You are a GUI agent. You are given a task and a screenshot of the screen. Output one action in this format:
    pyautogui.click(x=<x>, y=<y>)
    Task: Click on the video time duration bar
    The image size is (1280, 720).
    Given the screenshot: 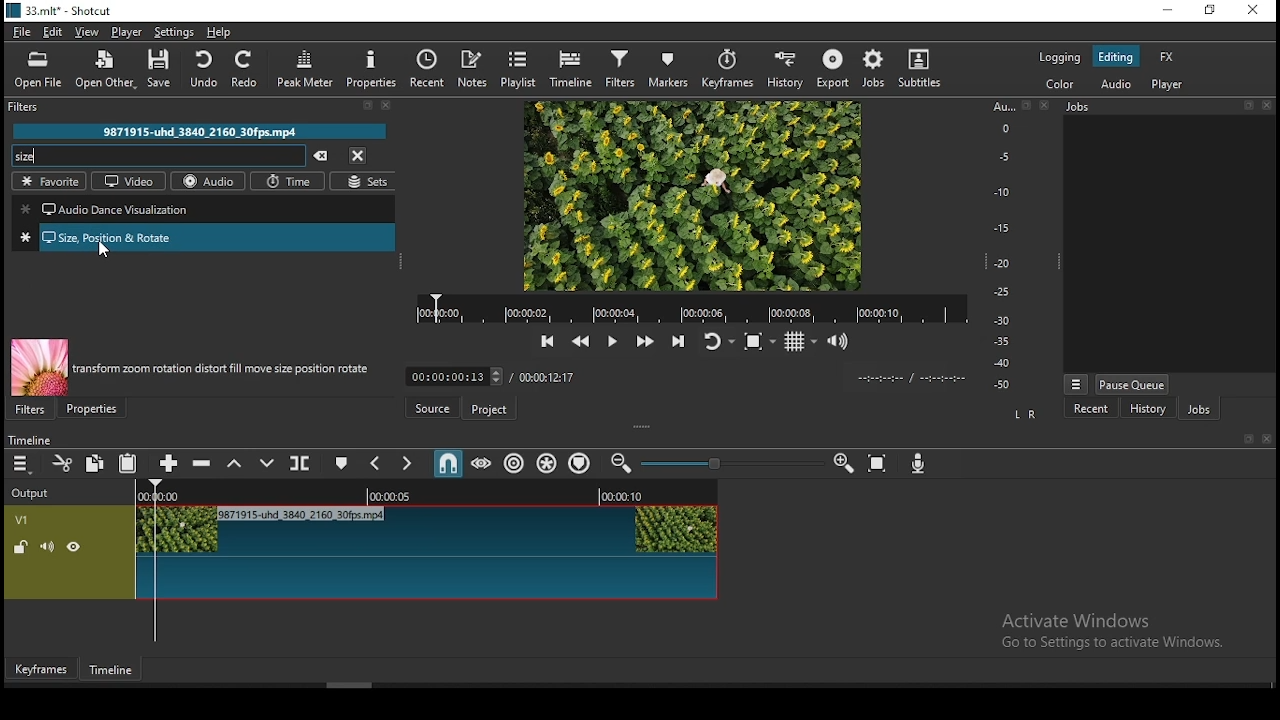 What is the action you would take?
    pyautogui.click(x=691, y=307)
    